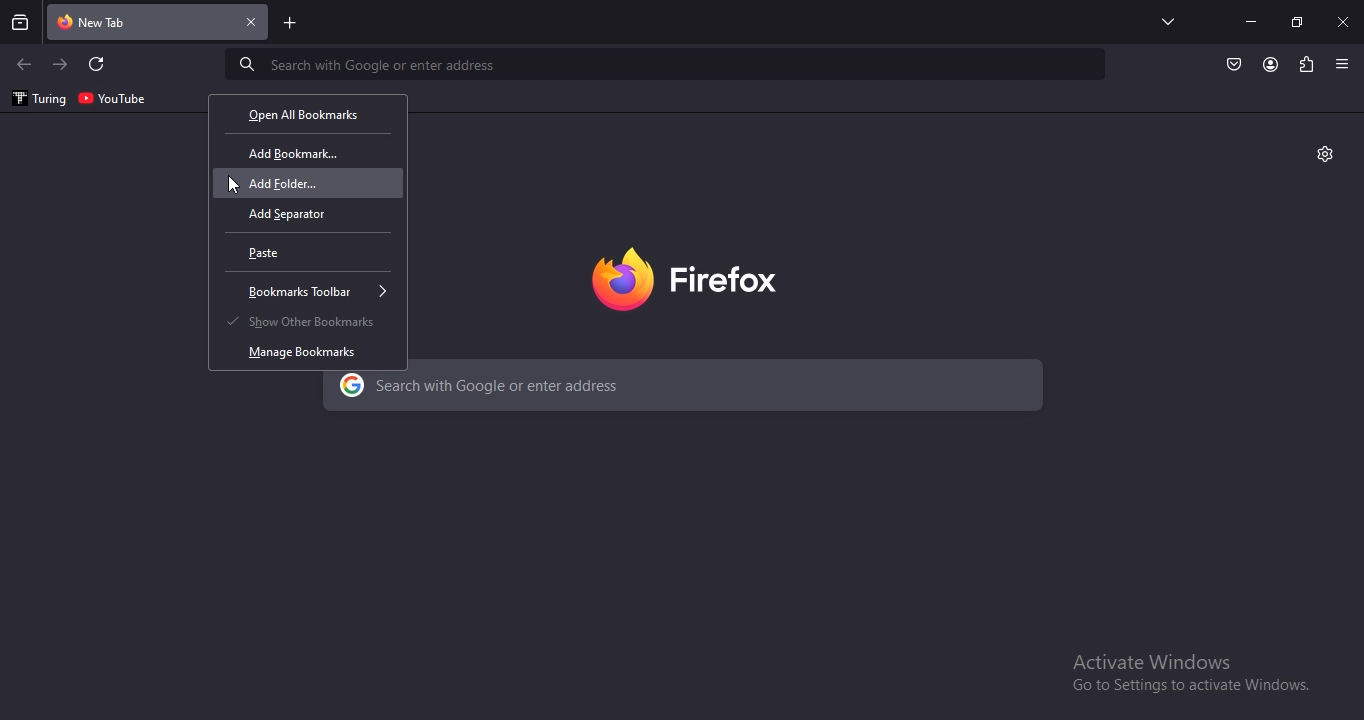 This screenshot has width=1364, height=720. I want to click on current tab, so click(159, 23).